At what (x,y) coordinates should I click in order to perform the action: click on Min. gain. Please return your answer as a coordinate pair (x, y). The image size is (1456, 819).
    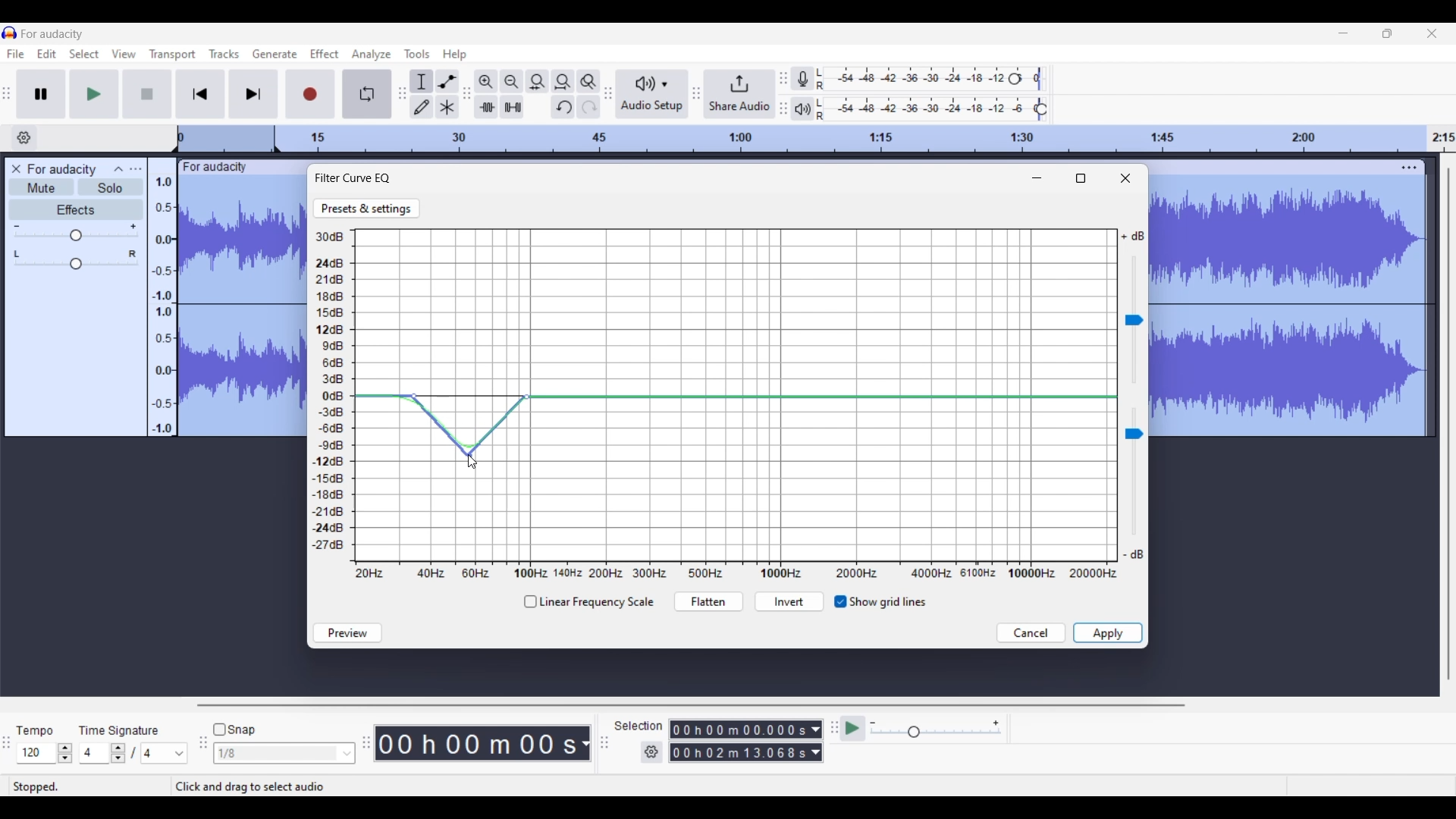
    Looking at the image, I should click on (17, 226).